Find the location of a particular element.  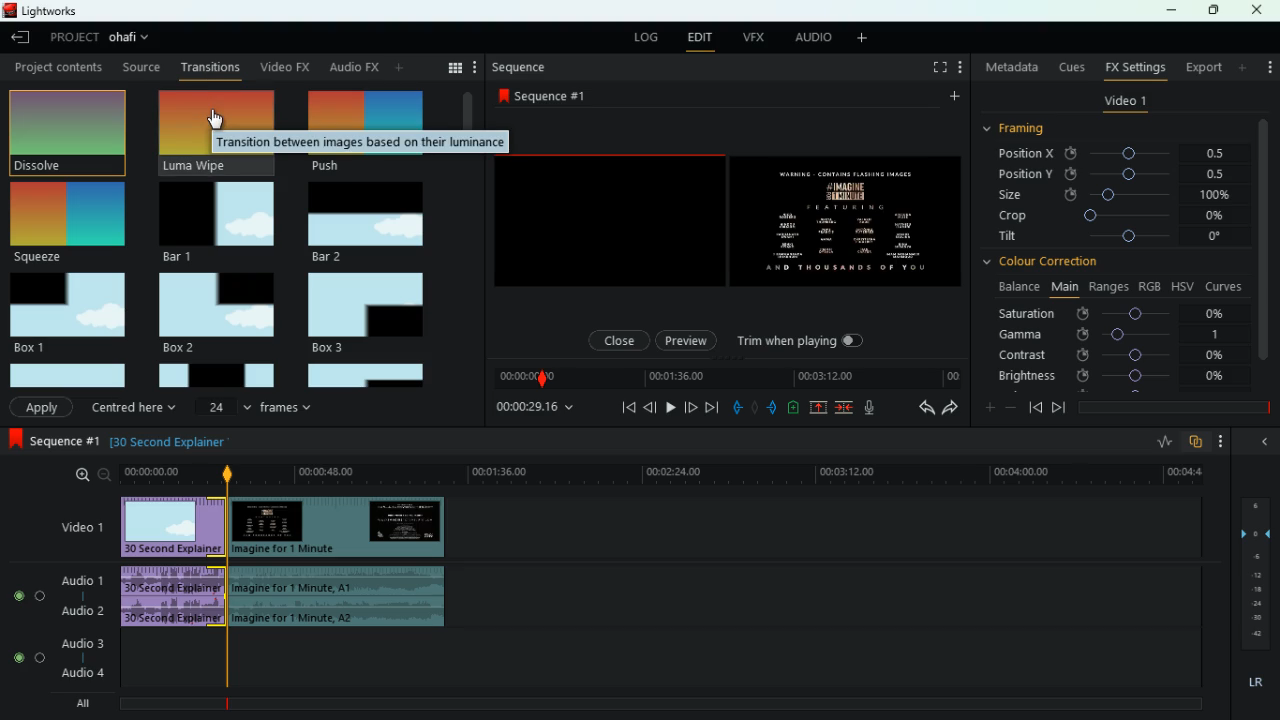

time frame is located at coordinates (1174, 408).